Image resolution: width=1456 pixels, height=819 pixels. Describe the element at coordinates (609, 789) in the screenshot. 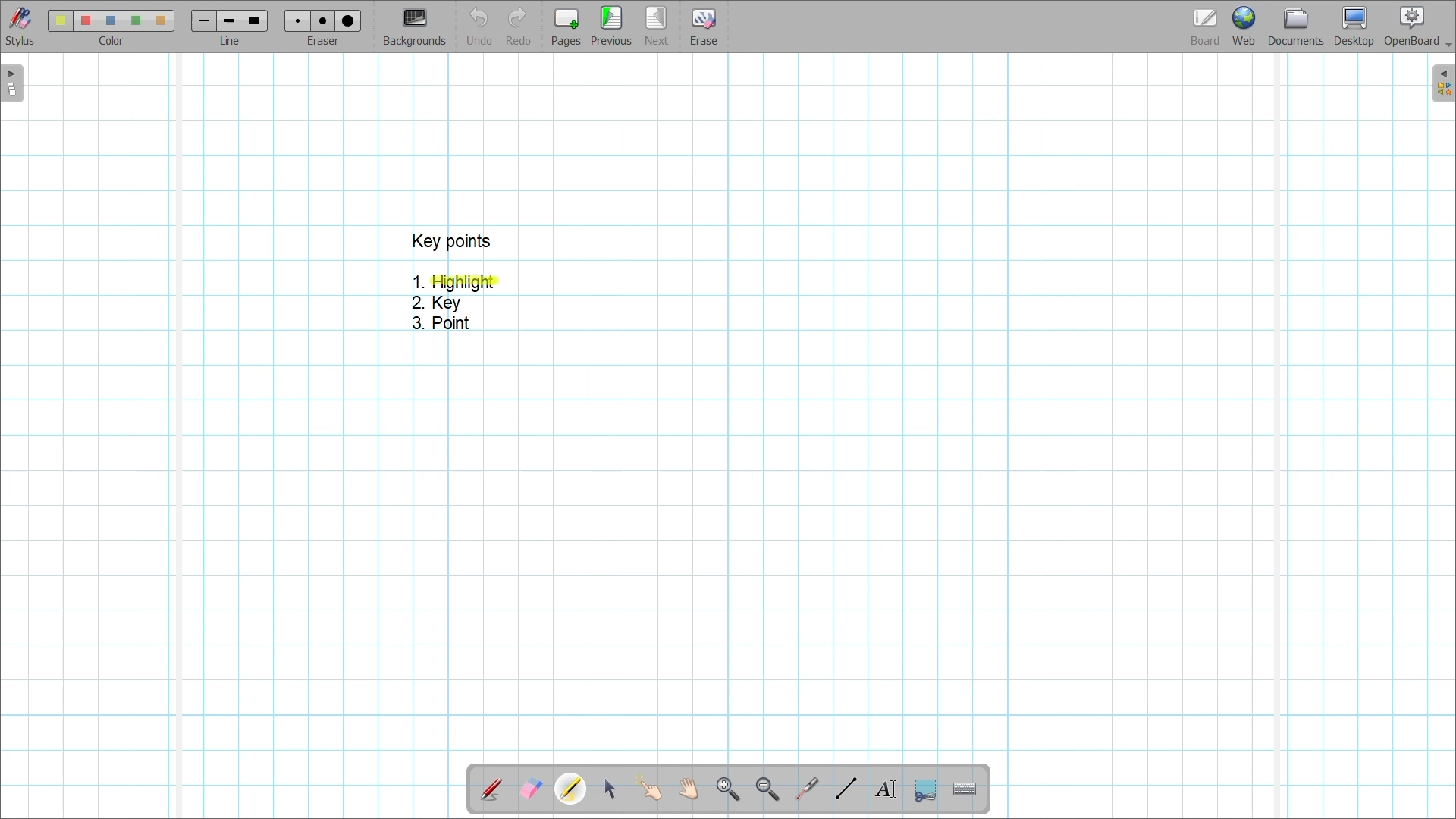

I see `Select and modify objects highlighted` at that location.